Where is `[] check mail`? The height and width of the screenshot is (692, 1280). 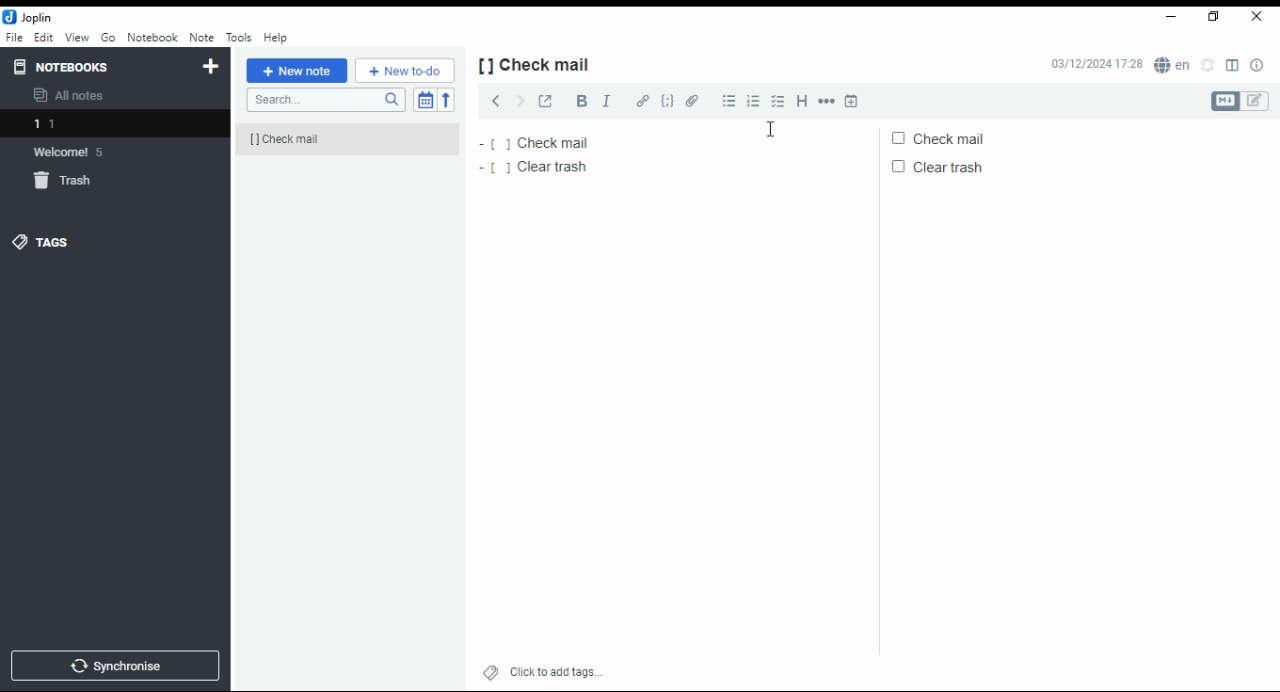 [] check mail is located at coordinates (541, 64).